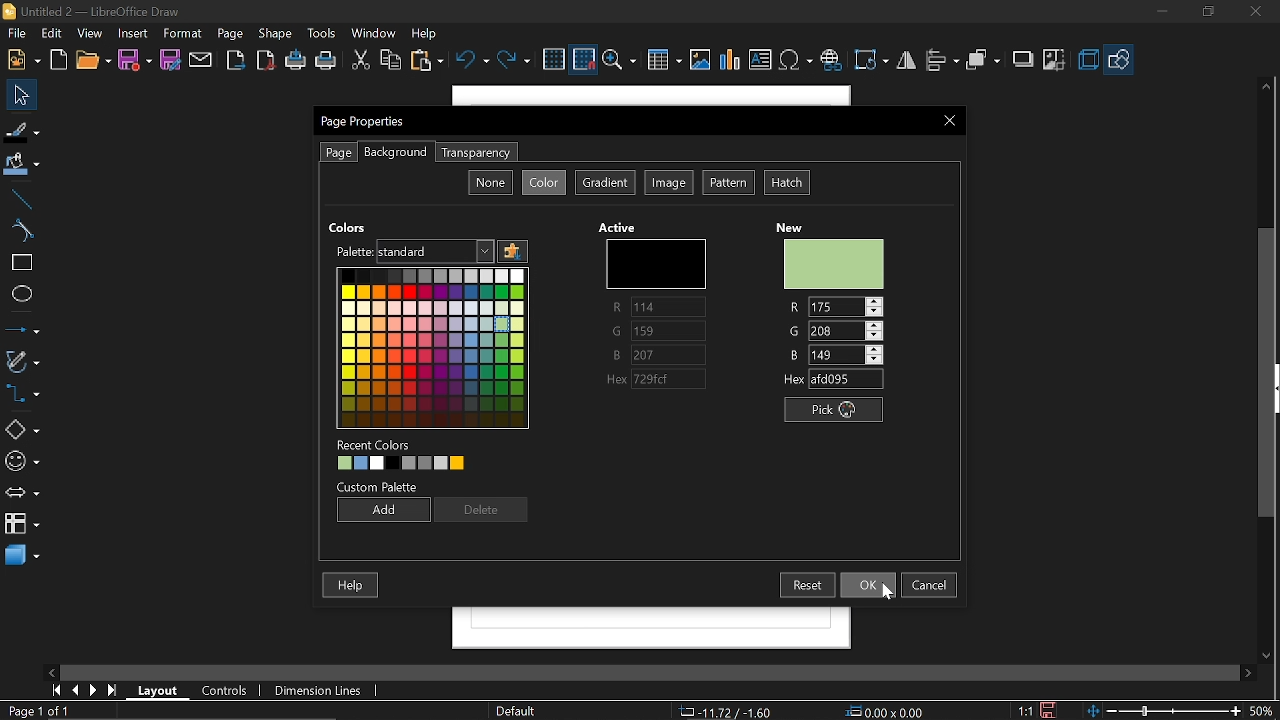  Describe the element at coordinates (20, 522) in the screenshot. I see `Flowchart` at that location.